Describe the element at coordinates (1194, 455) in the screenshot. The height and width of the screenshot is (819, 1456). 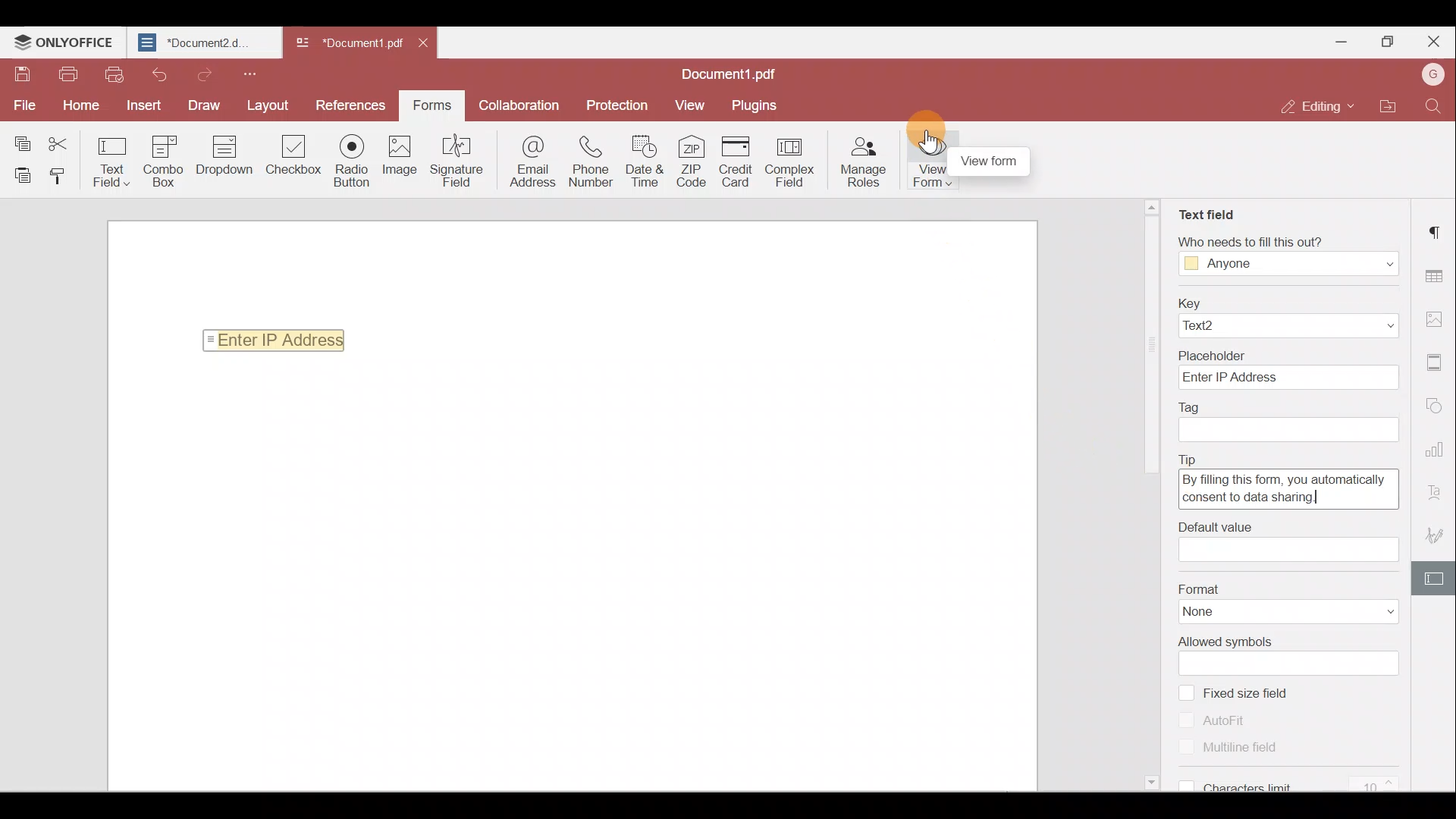
I see `Tip` at that location.